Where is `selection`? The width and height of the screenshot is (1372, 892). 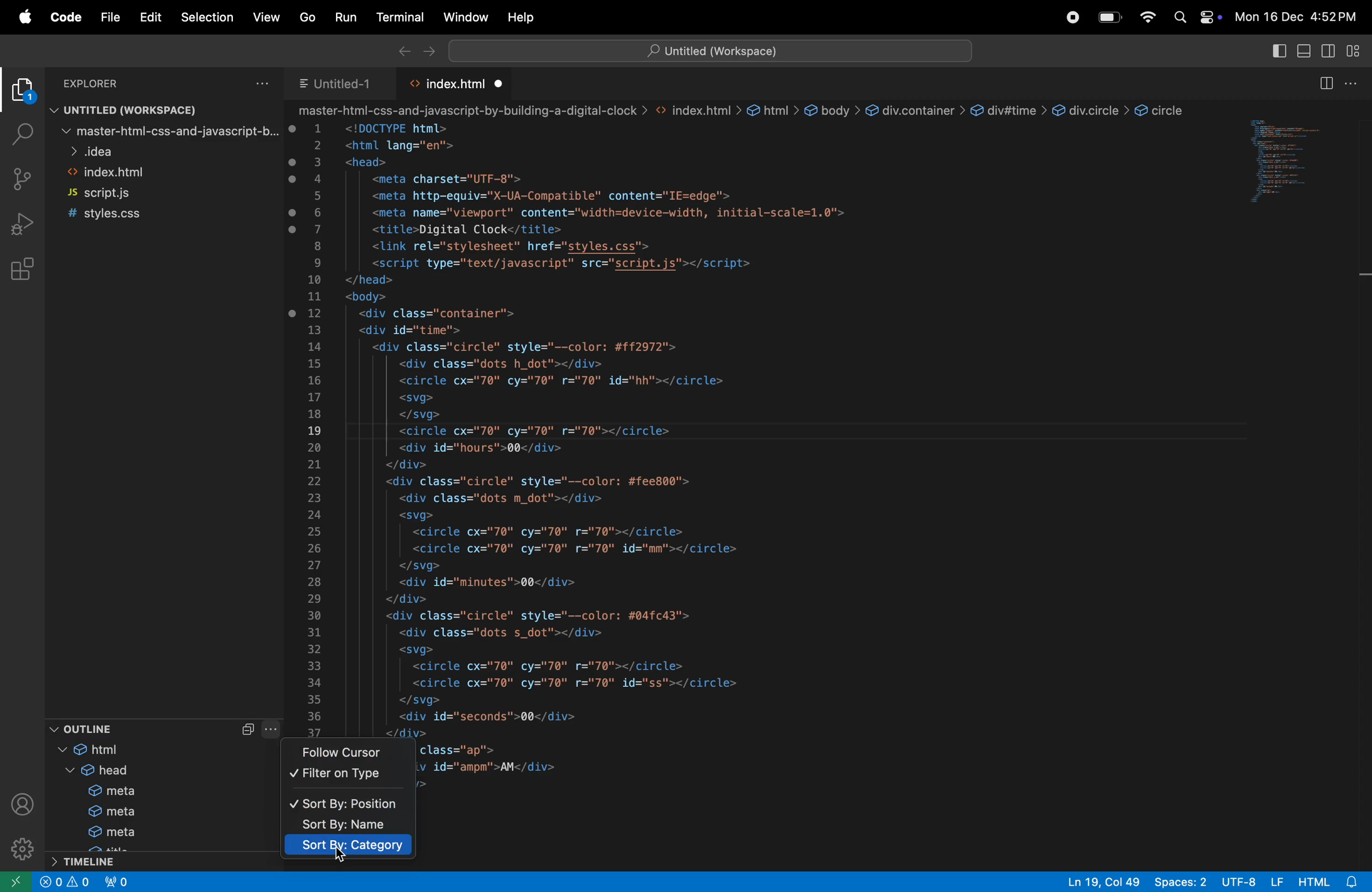 selection is located at coordinates (207, 16).